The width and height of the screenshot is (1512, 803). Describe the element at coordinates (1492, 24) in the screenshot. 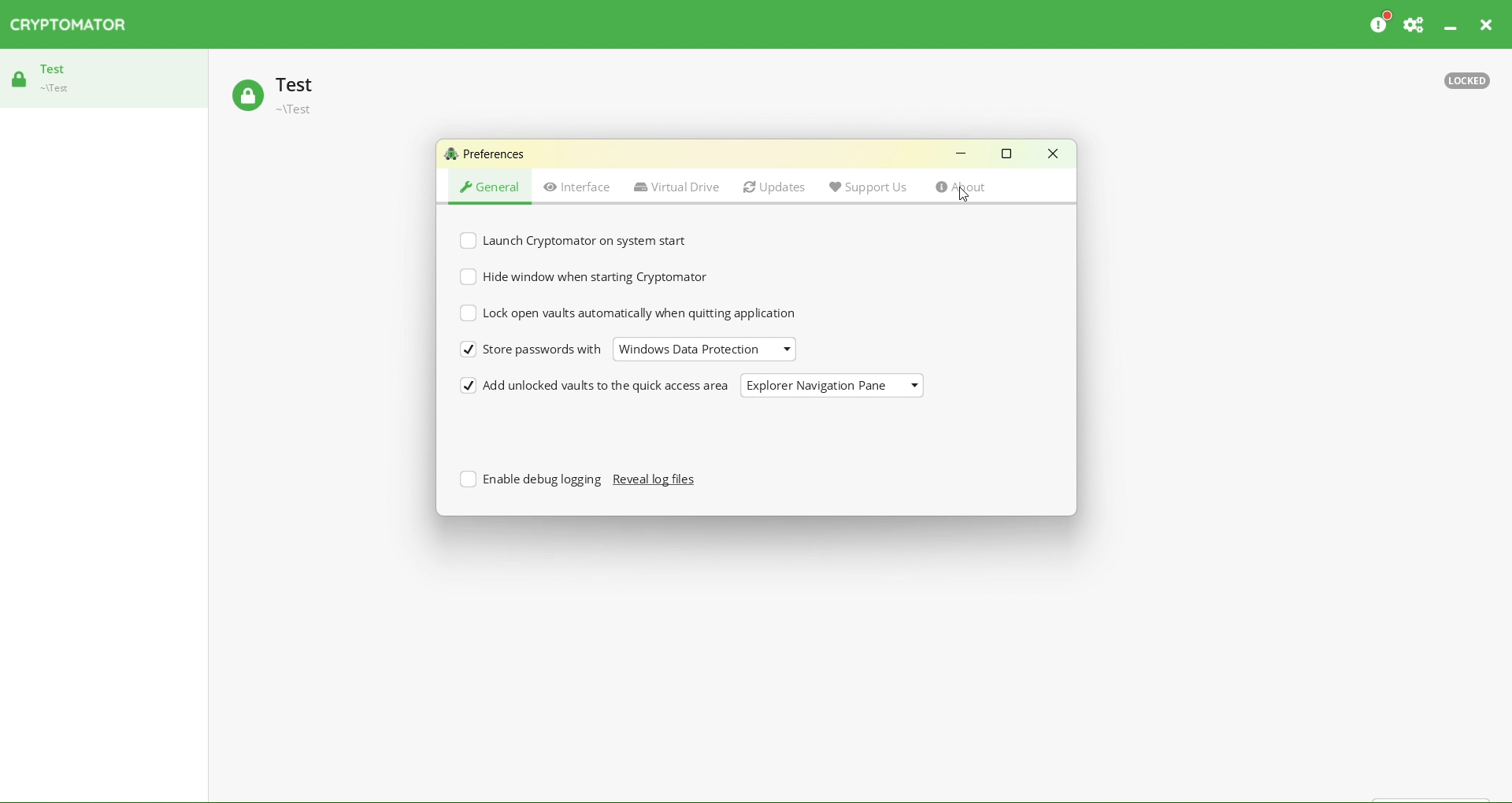

I see `Close` at that location.